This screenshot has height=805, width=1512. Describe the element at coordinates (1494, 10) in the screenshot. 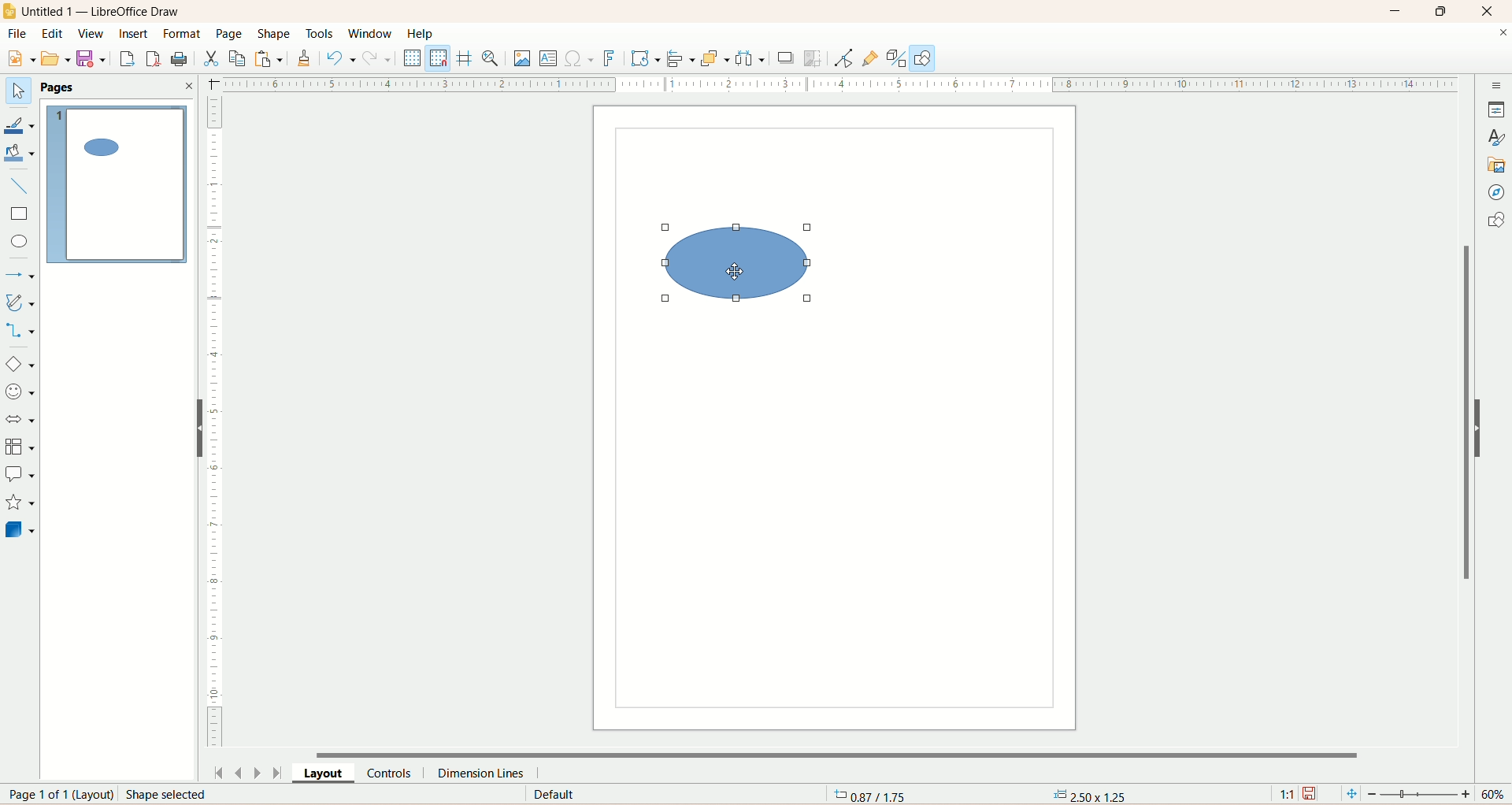

I see `close` at that location.